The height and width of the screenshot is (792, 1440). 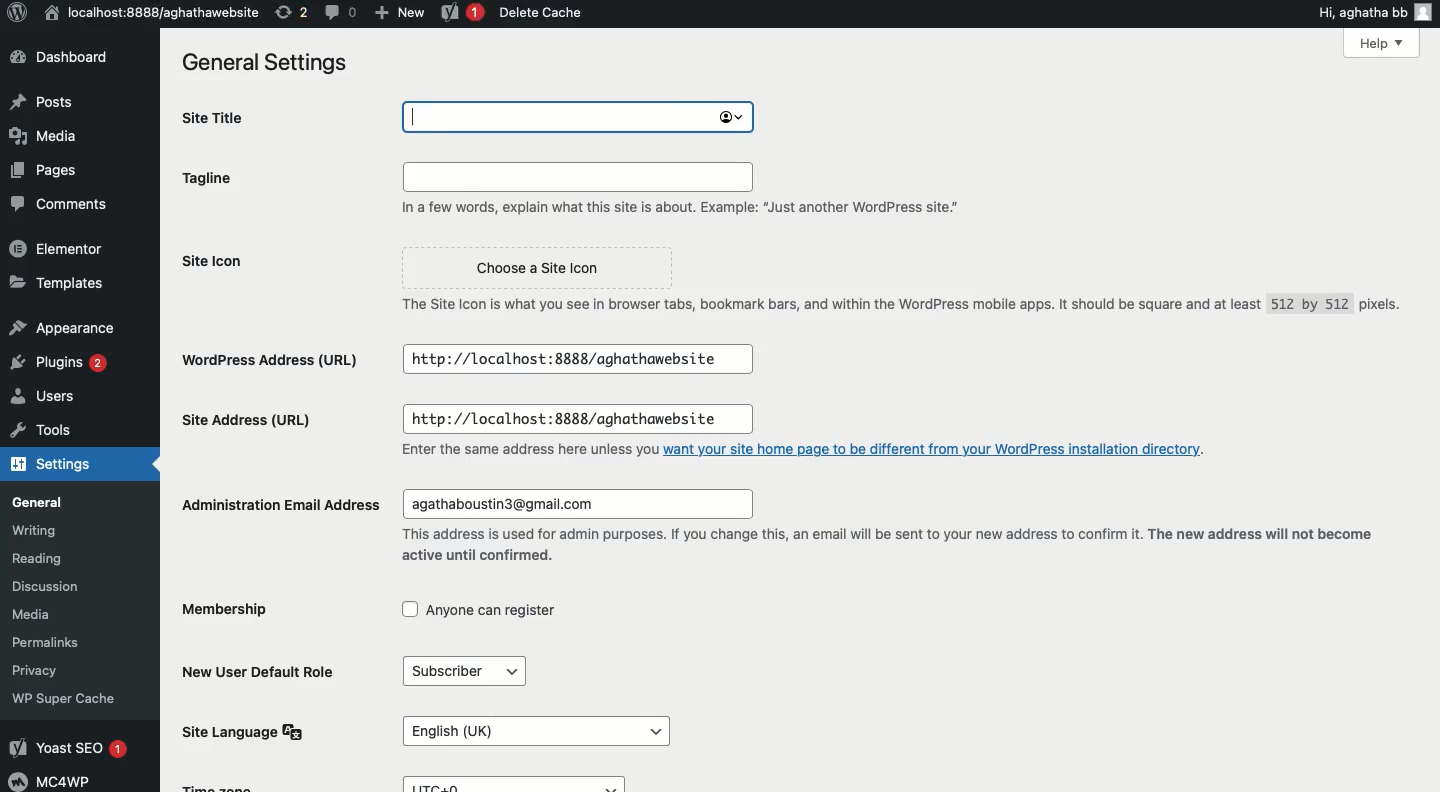 I want to click on General, so click(x=38, y=502).